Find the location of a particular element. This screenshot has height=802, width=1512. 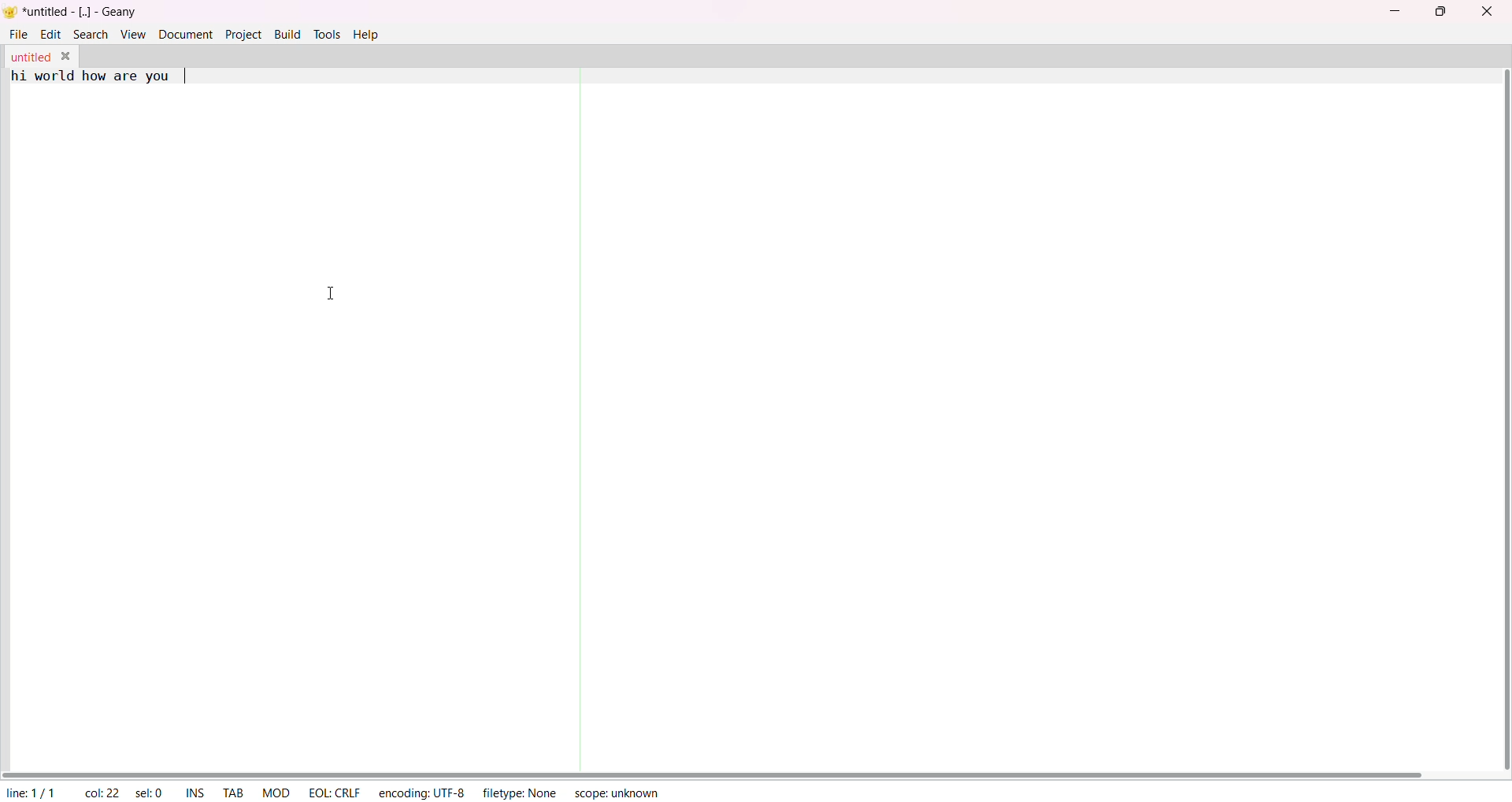

project is located at coordinates (243, 34).